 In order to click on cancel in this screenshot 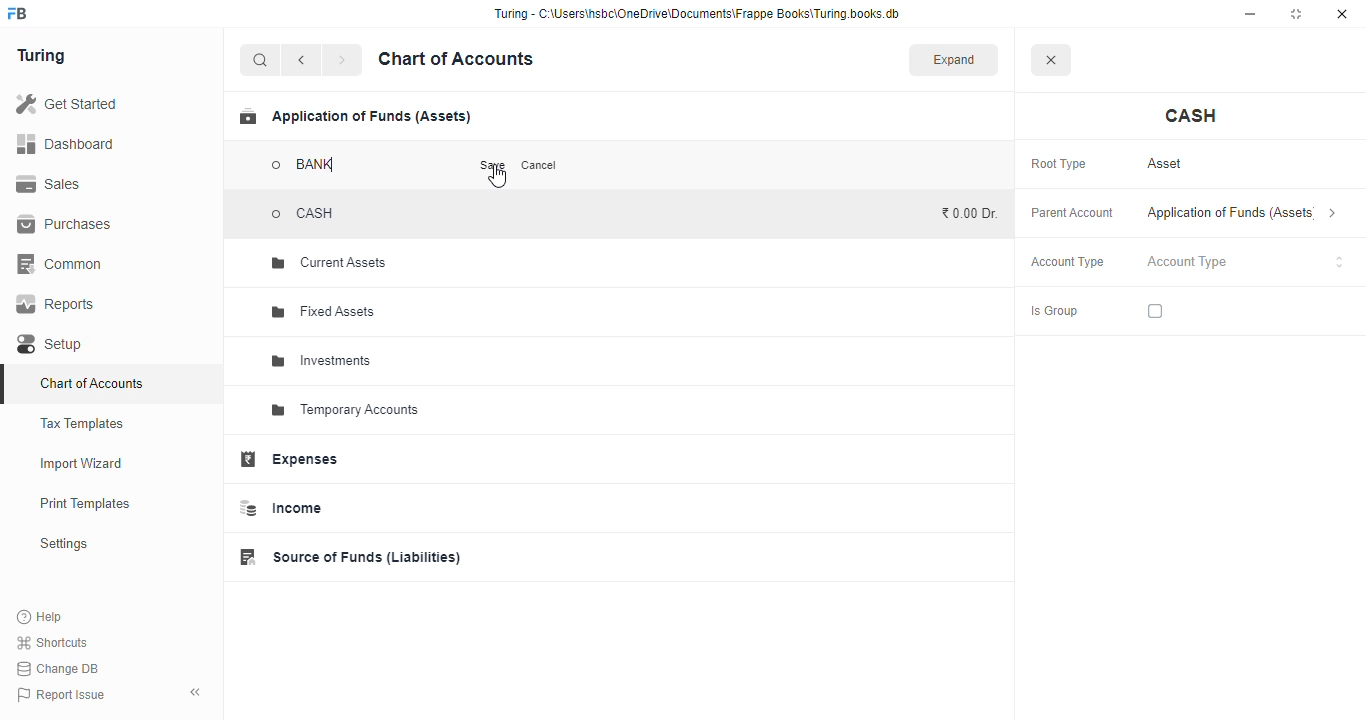, I will do `click(539, 165)`.